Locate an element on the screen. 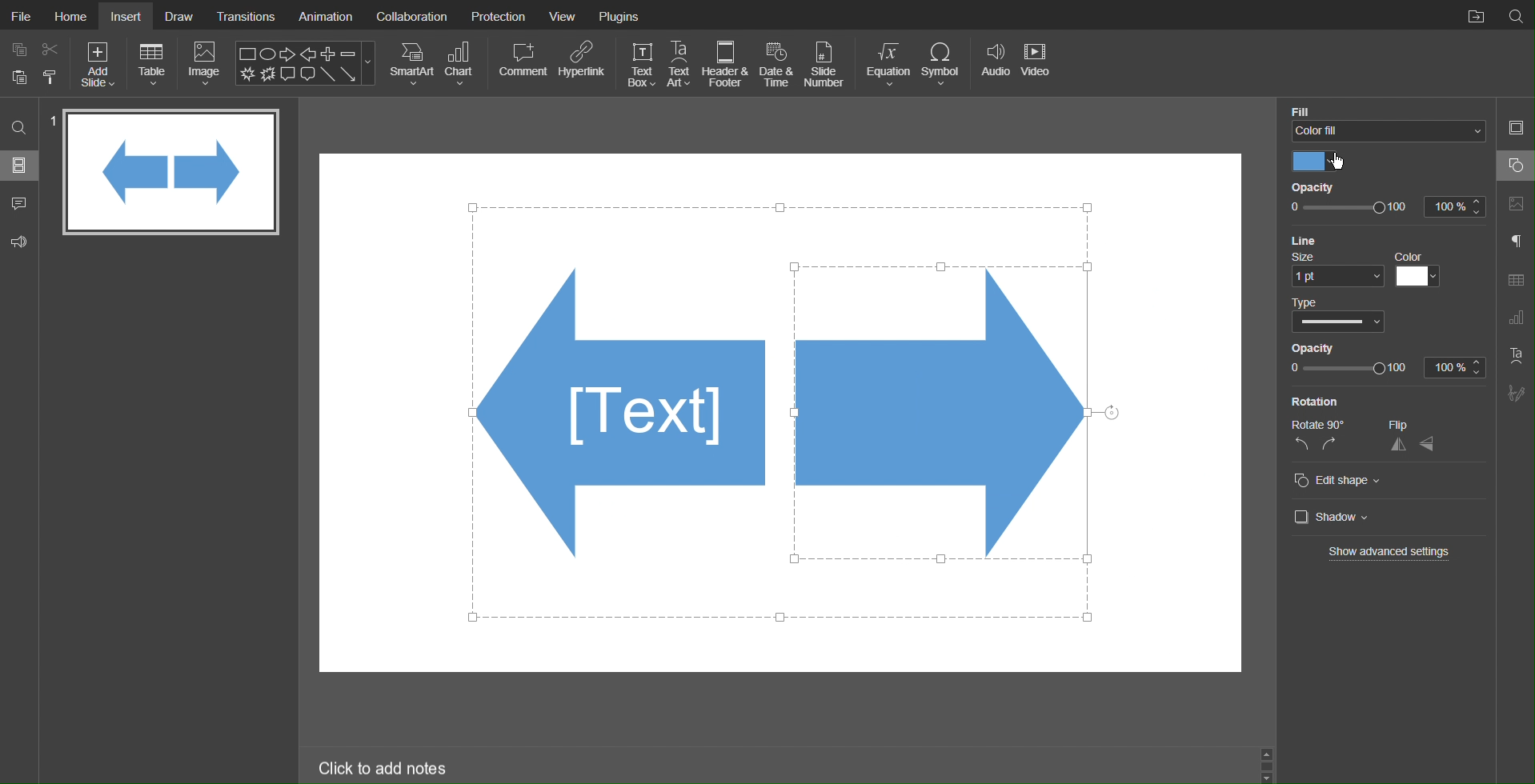 The height and width of the screenshot is (784, 1535). Selected Arrow is located at coordinates (949, 425).